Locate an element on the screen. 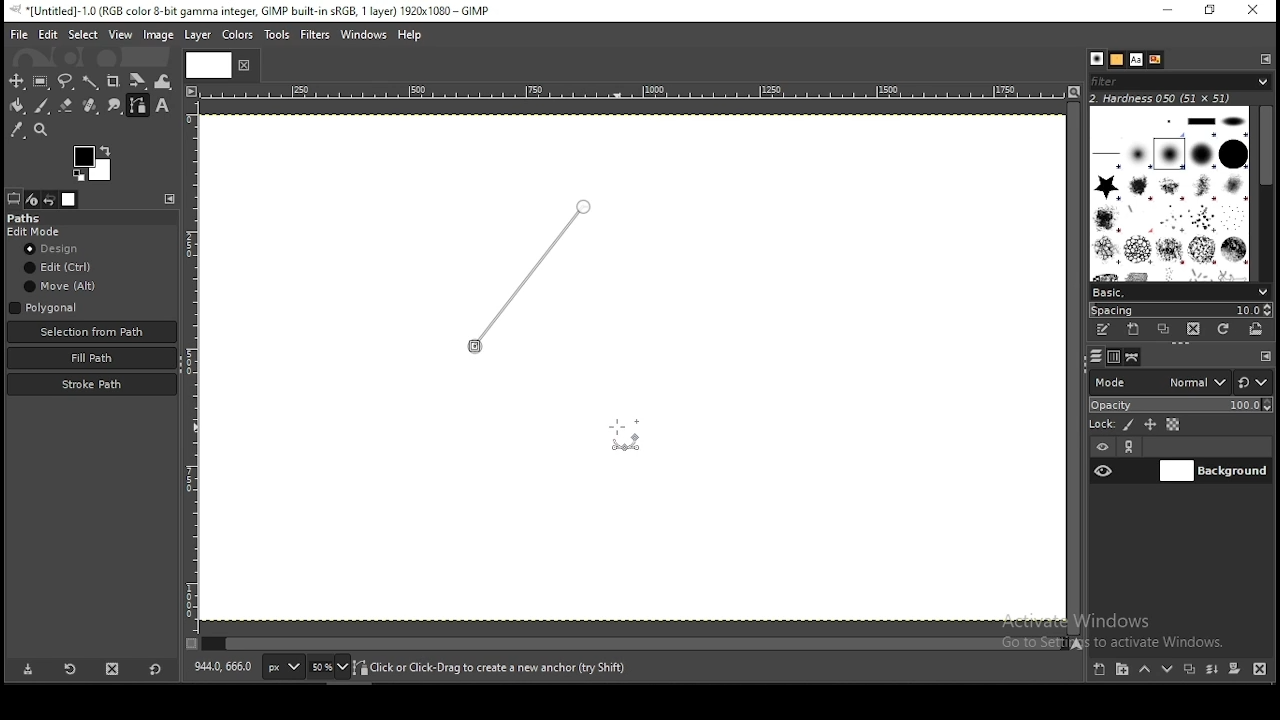 This screenshot has width=1280, height=720. configure this tab is located at coordinates (172, 199).